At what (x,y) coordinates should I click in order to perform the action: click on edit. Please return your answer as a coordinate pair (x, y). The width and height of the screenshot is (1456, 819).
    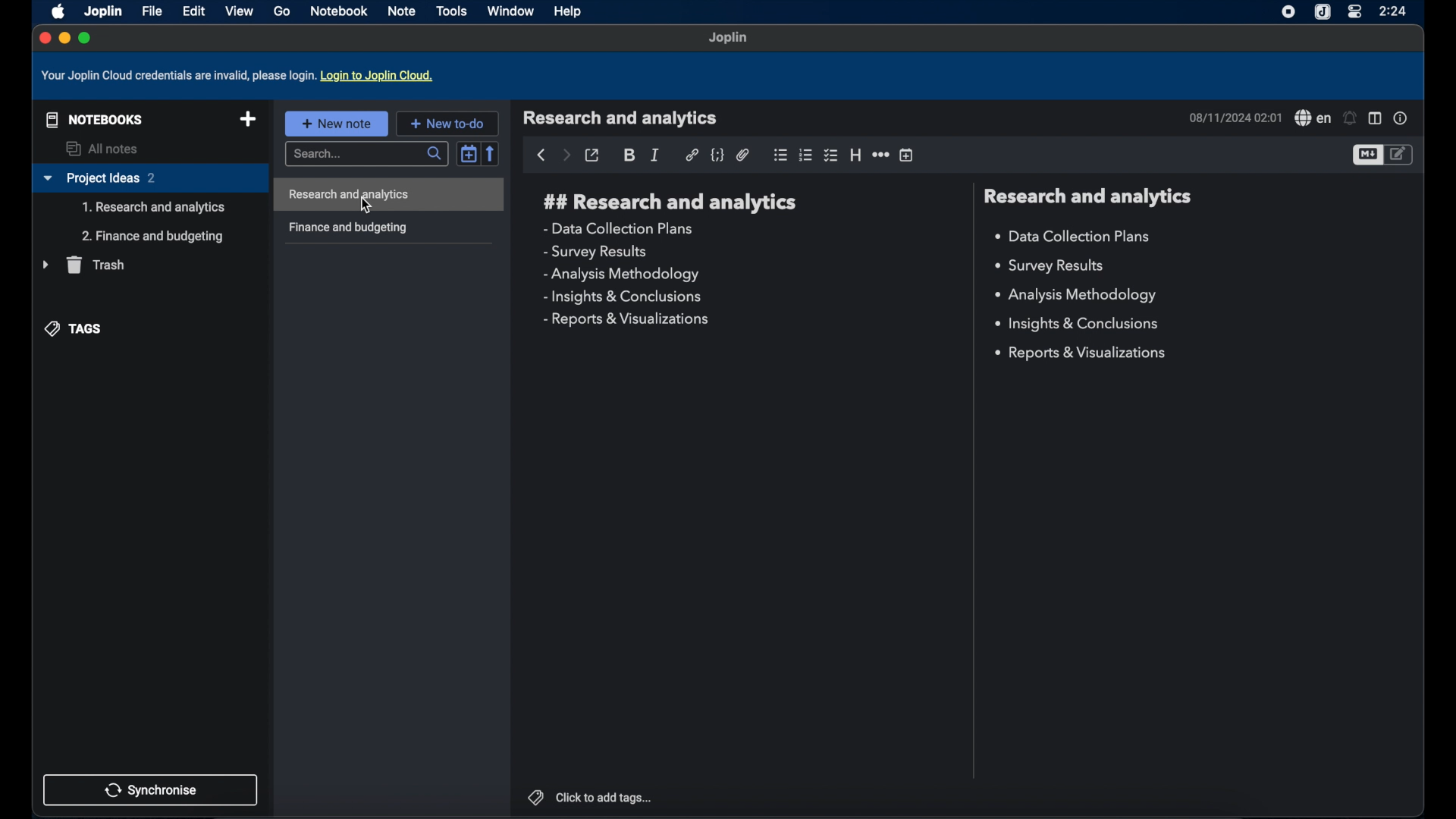
    Looking at the image, I should click on (193, 11).